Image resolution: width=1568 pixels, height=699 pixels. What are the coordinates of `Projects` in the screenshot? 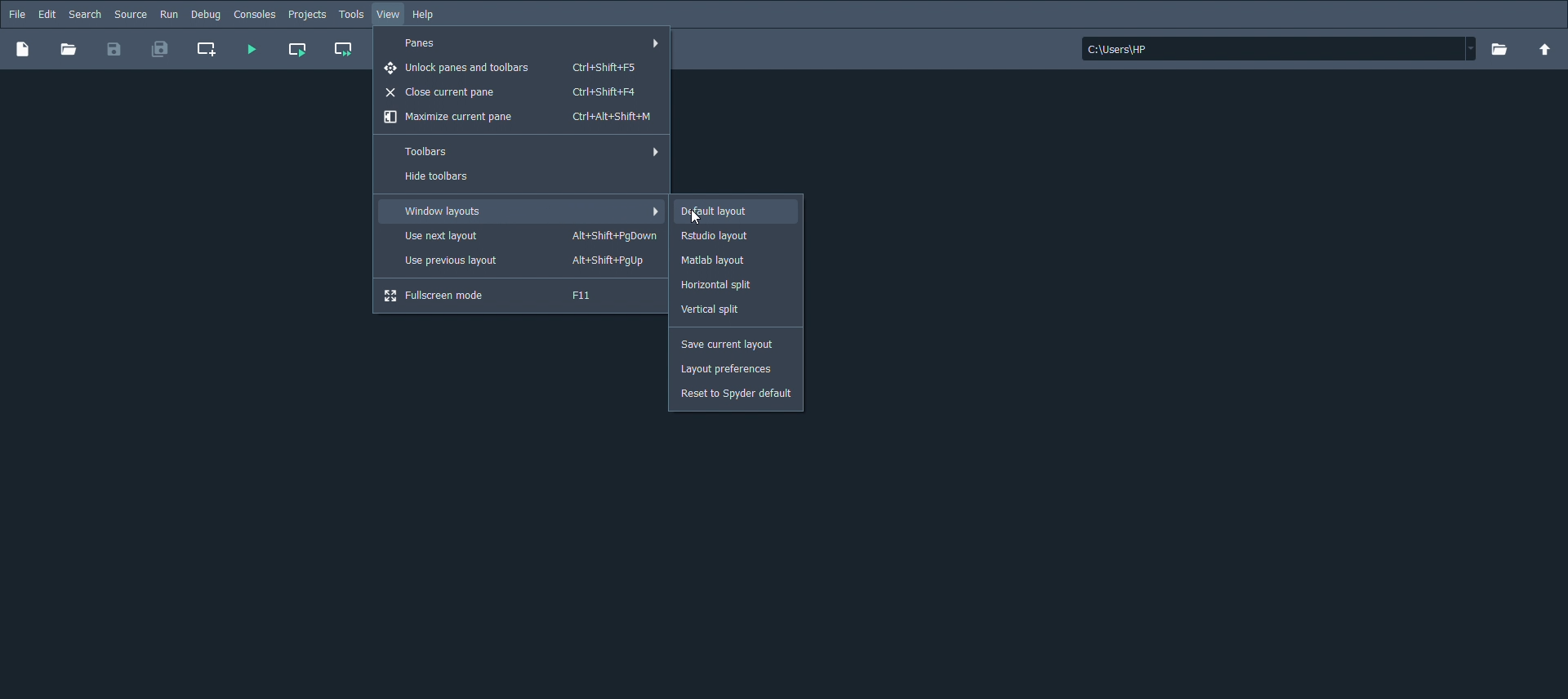 It's located at (307, 15).